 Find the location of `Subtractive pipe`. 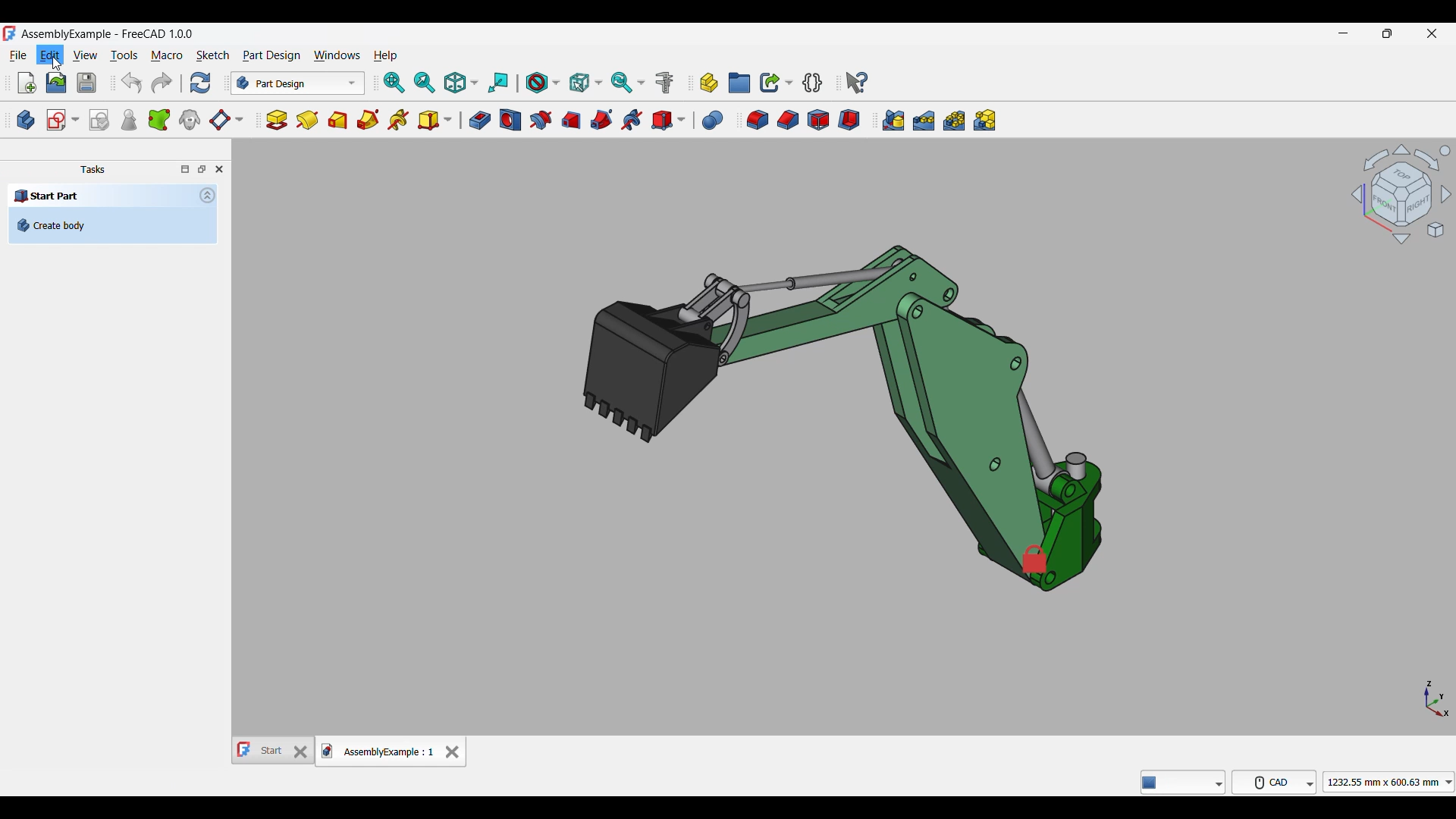

Subtractive pipe is located at coordinates (601, 120).